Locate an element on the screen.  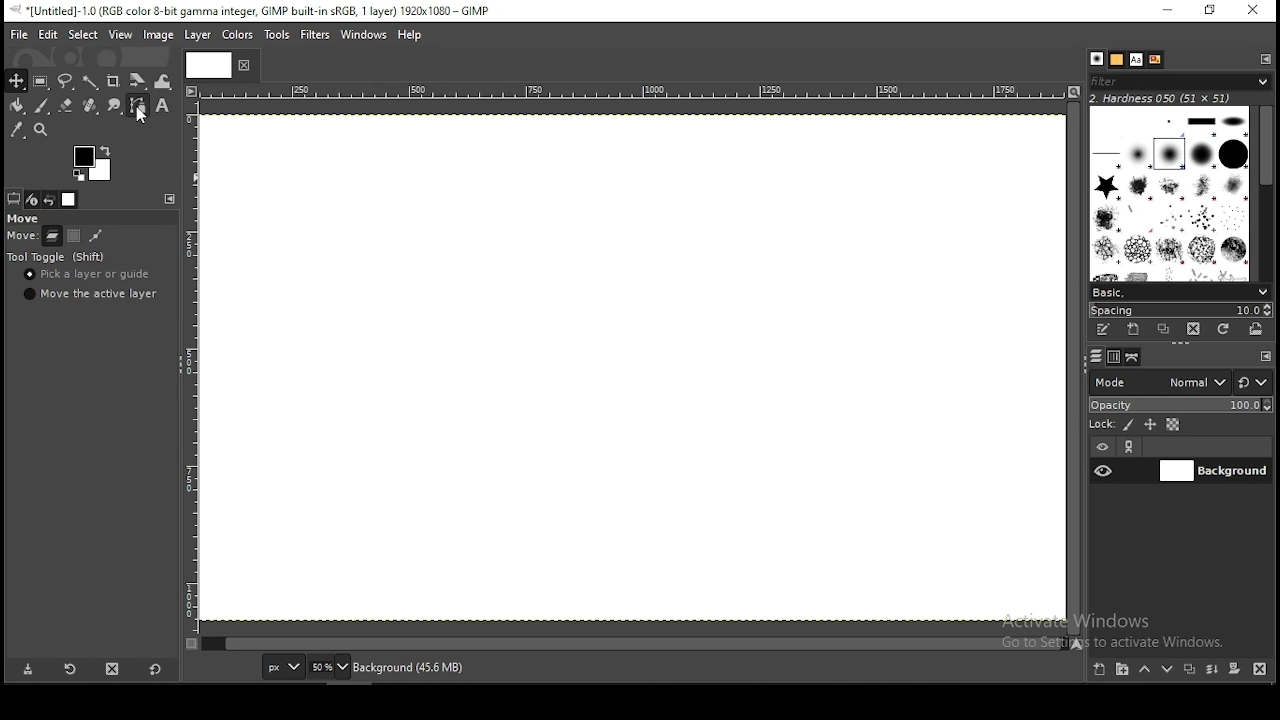
device status is located at coordinates (32, 199).